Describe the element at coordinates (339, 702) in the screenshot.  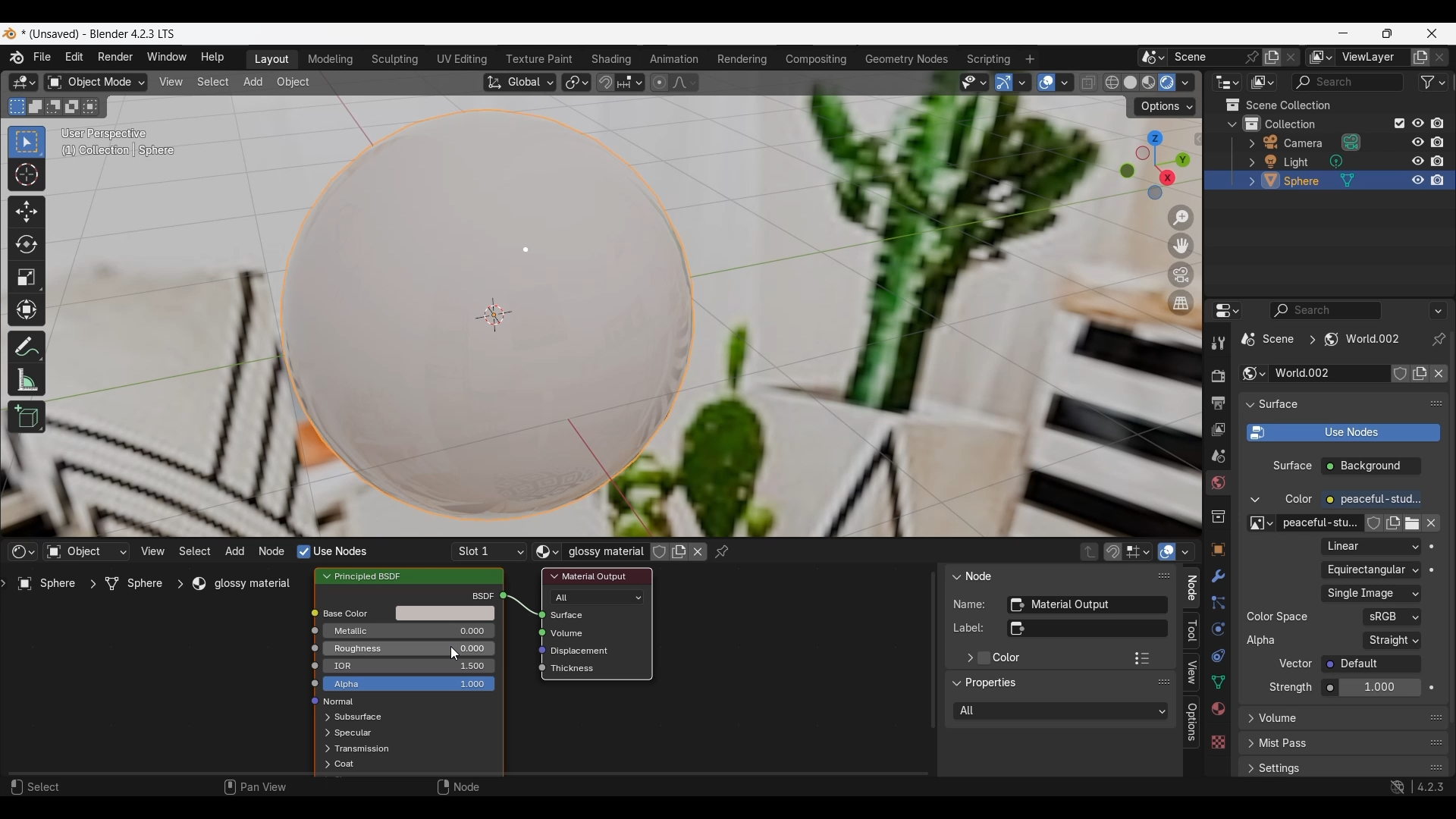
I see `normal` at that location.